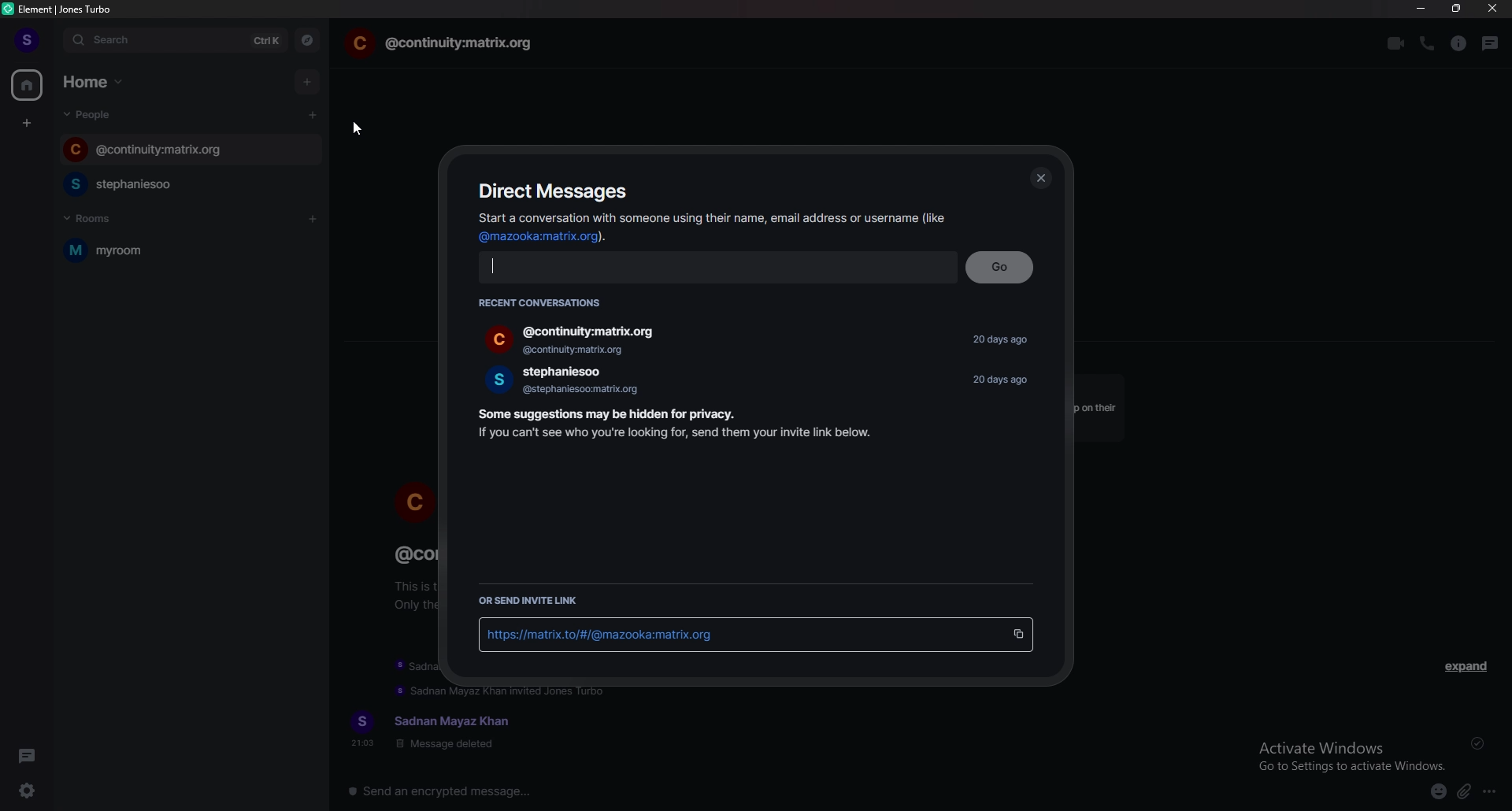 The width and height of the screenshot is (1512, 811). Describe the element at coordinates (1421, 9) in the screenshot. I see `minimize` at that location.